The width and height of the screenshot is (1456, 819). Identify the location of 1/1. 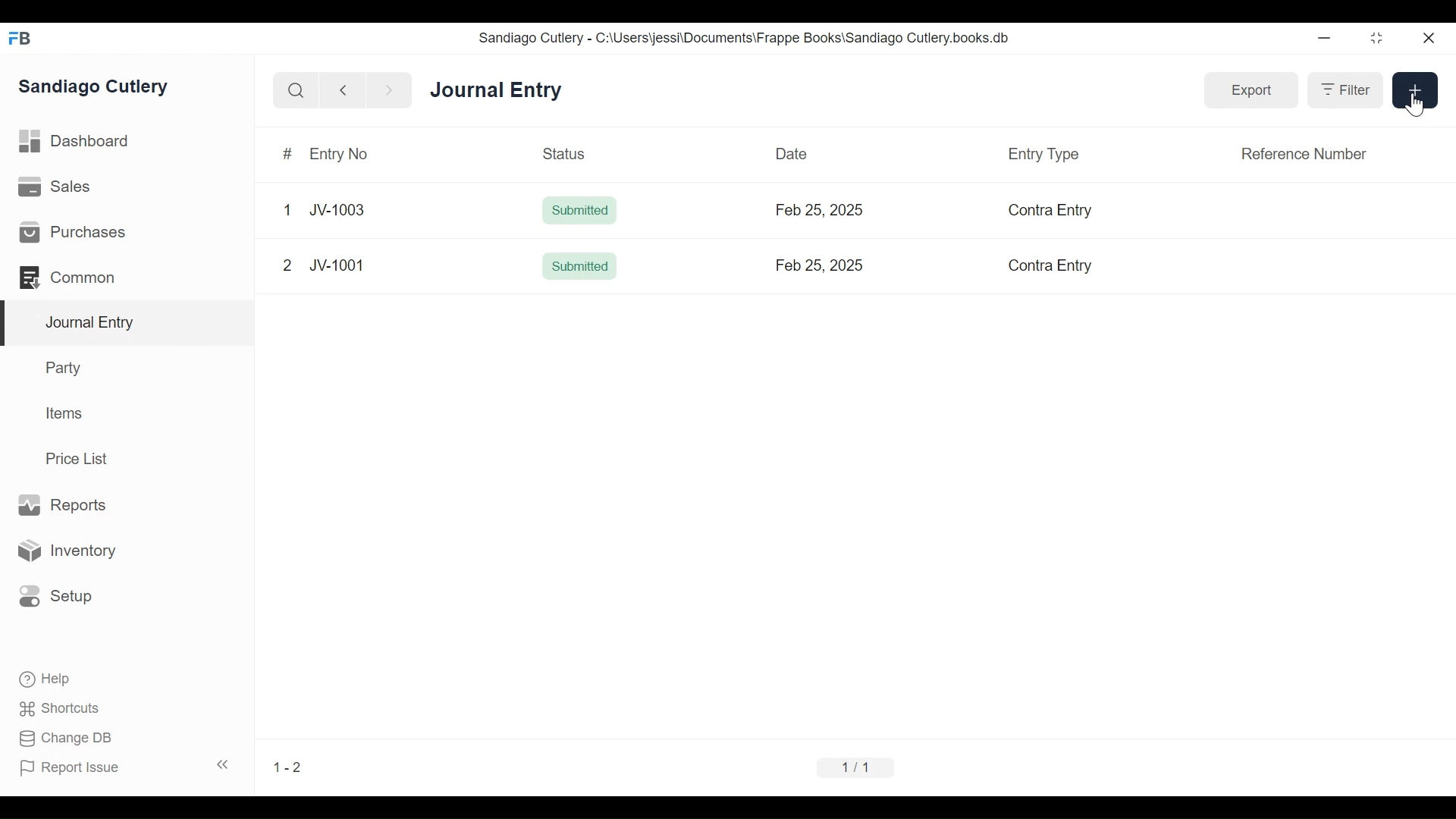
(856, 767).